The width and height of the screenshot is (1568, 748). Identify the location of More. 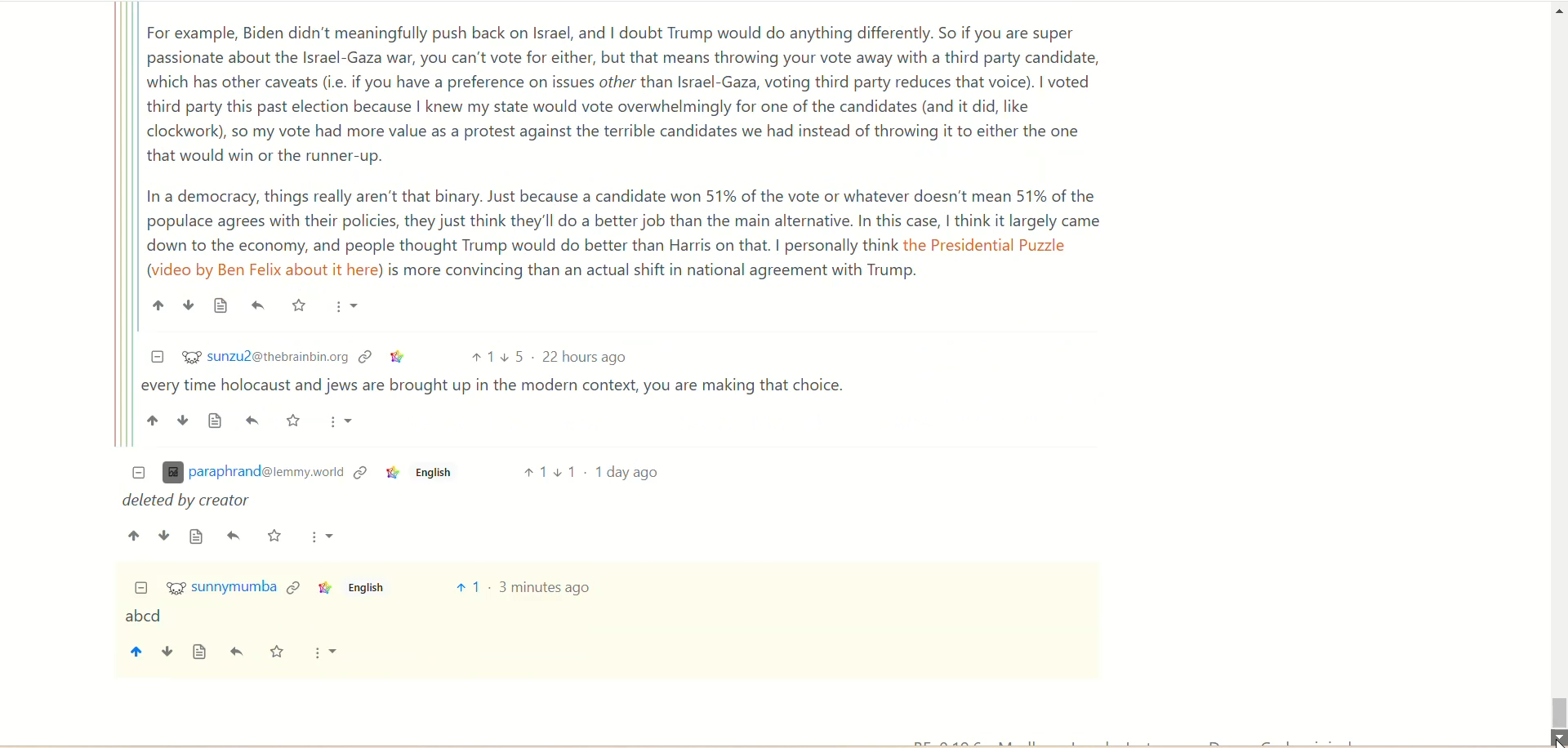
(321, 536).